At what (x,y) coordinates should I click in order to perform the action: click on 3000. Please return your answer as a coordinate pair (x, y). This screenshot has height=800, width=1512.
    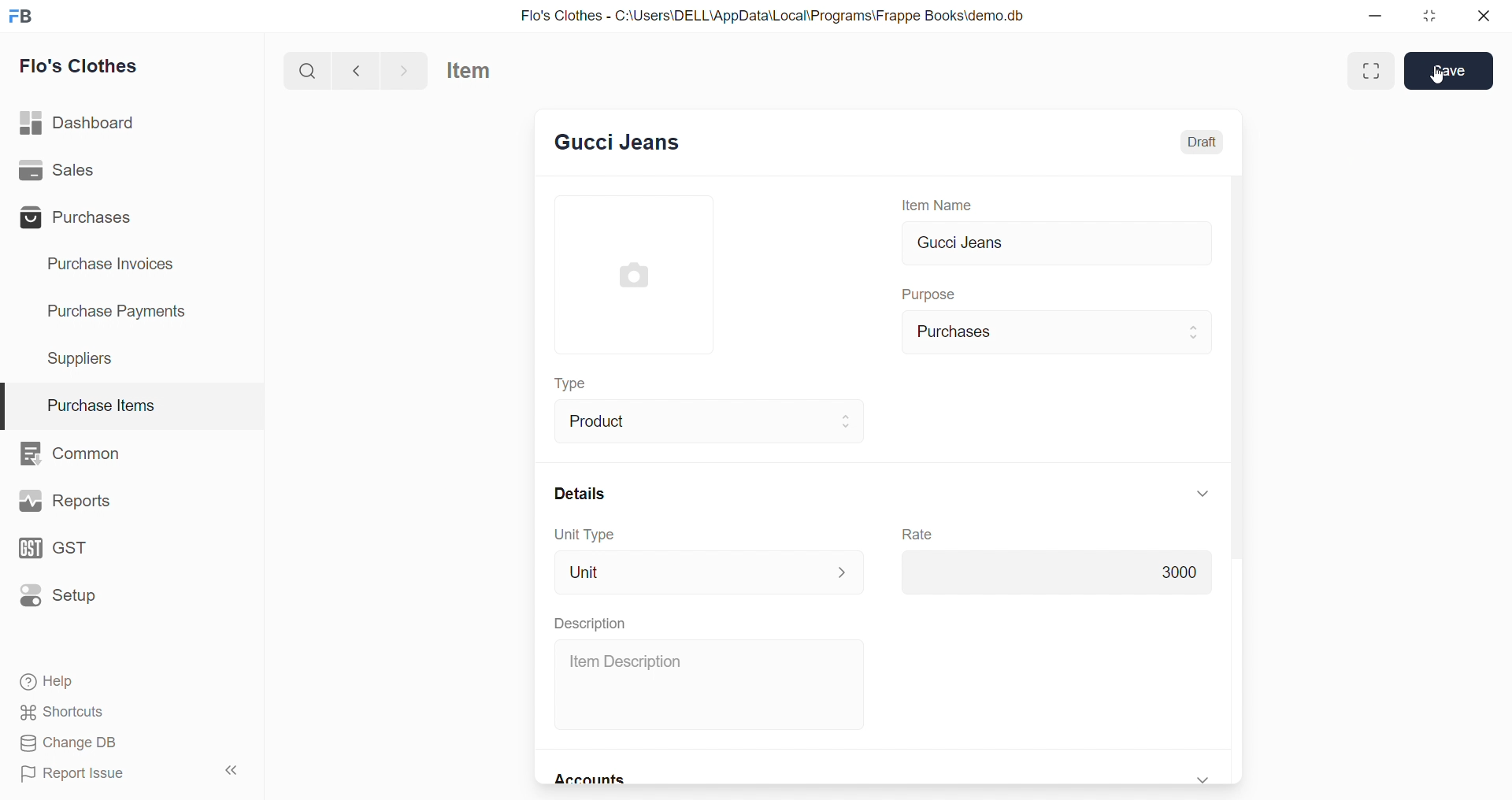
    Looking at the image, I should click on (1053, 572).